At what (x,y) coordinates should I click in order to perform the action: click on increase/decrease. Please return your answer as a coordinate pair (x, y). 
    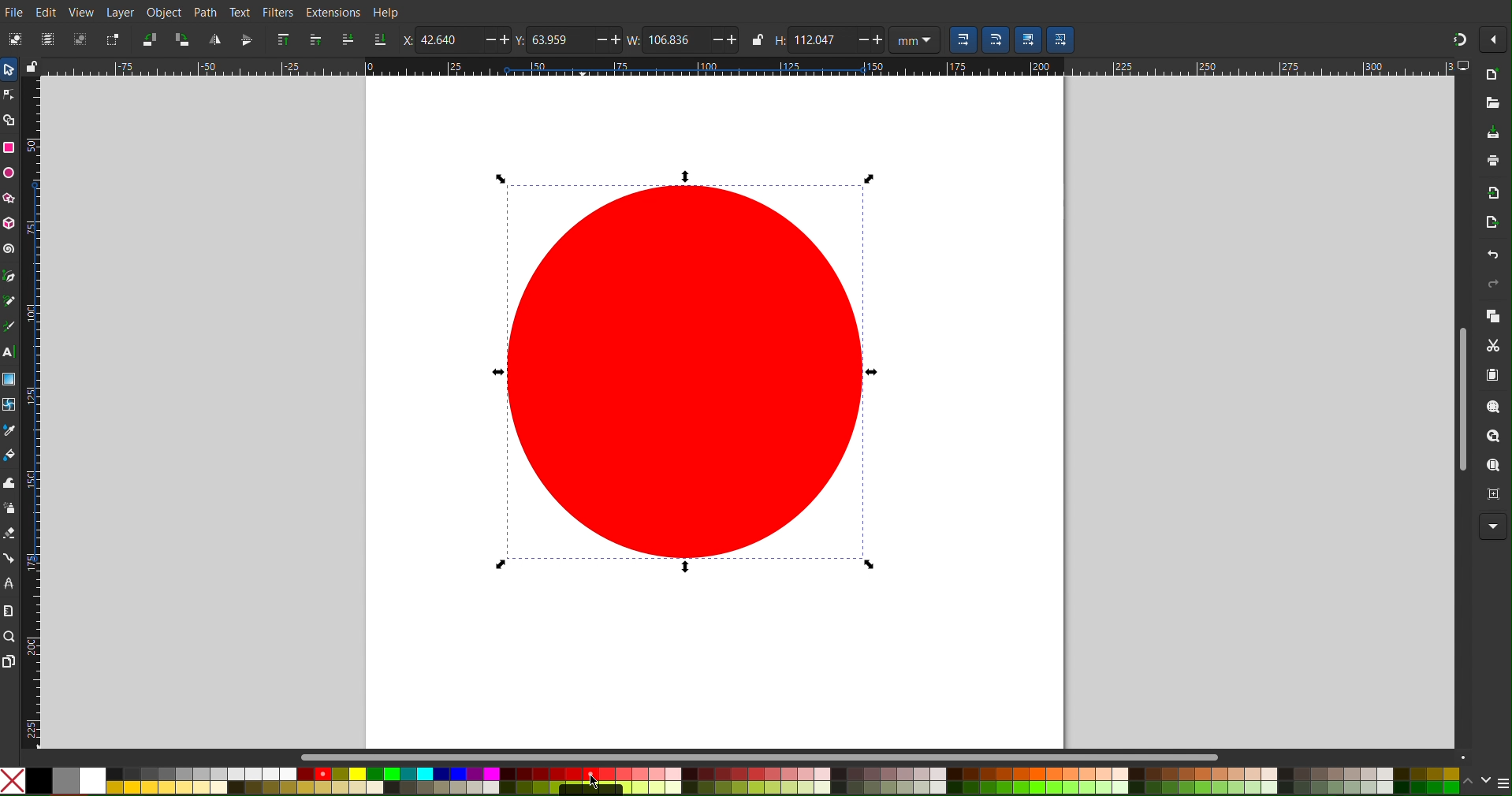
    Looking at the image, I should click on (725, 39).